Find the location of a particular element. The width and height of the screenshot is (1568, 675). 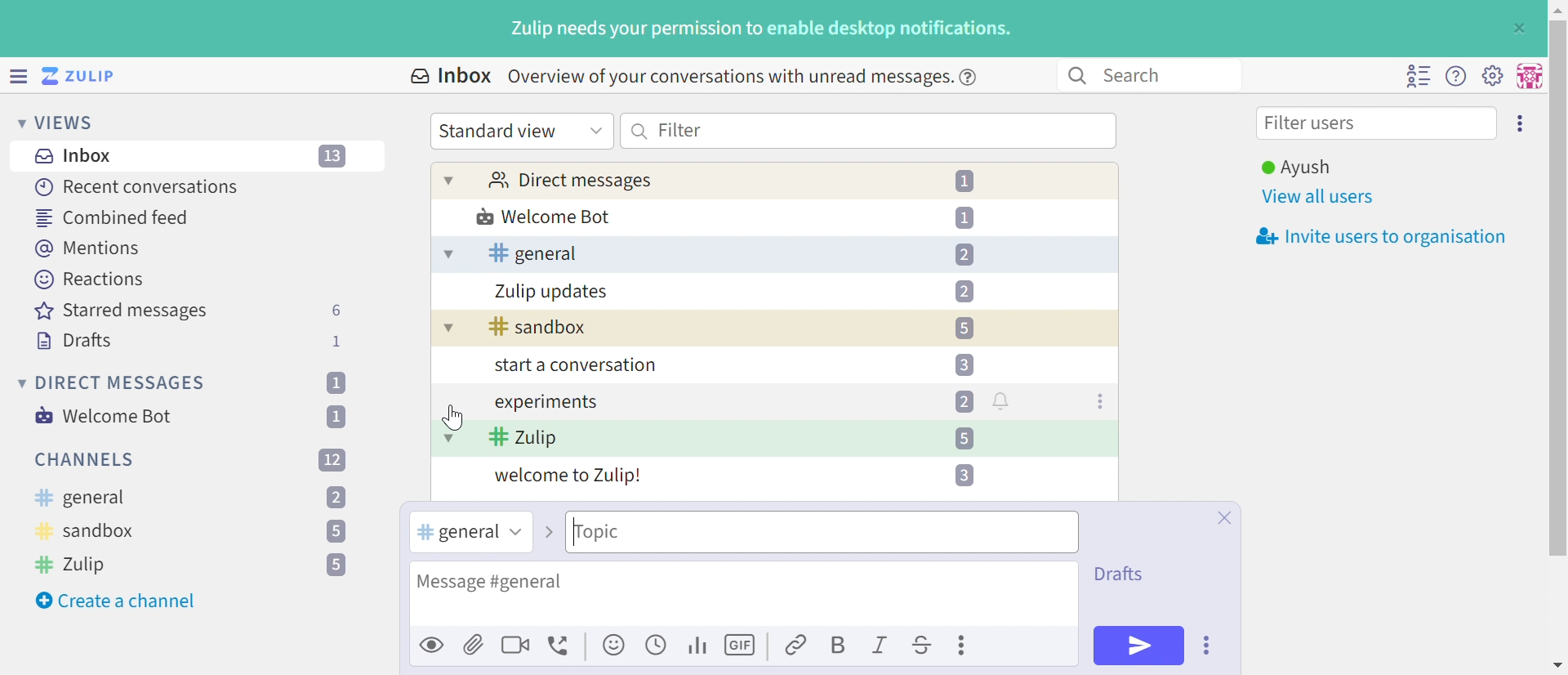

VIEWS is located at coordinates (69, 122).